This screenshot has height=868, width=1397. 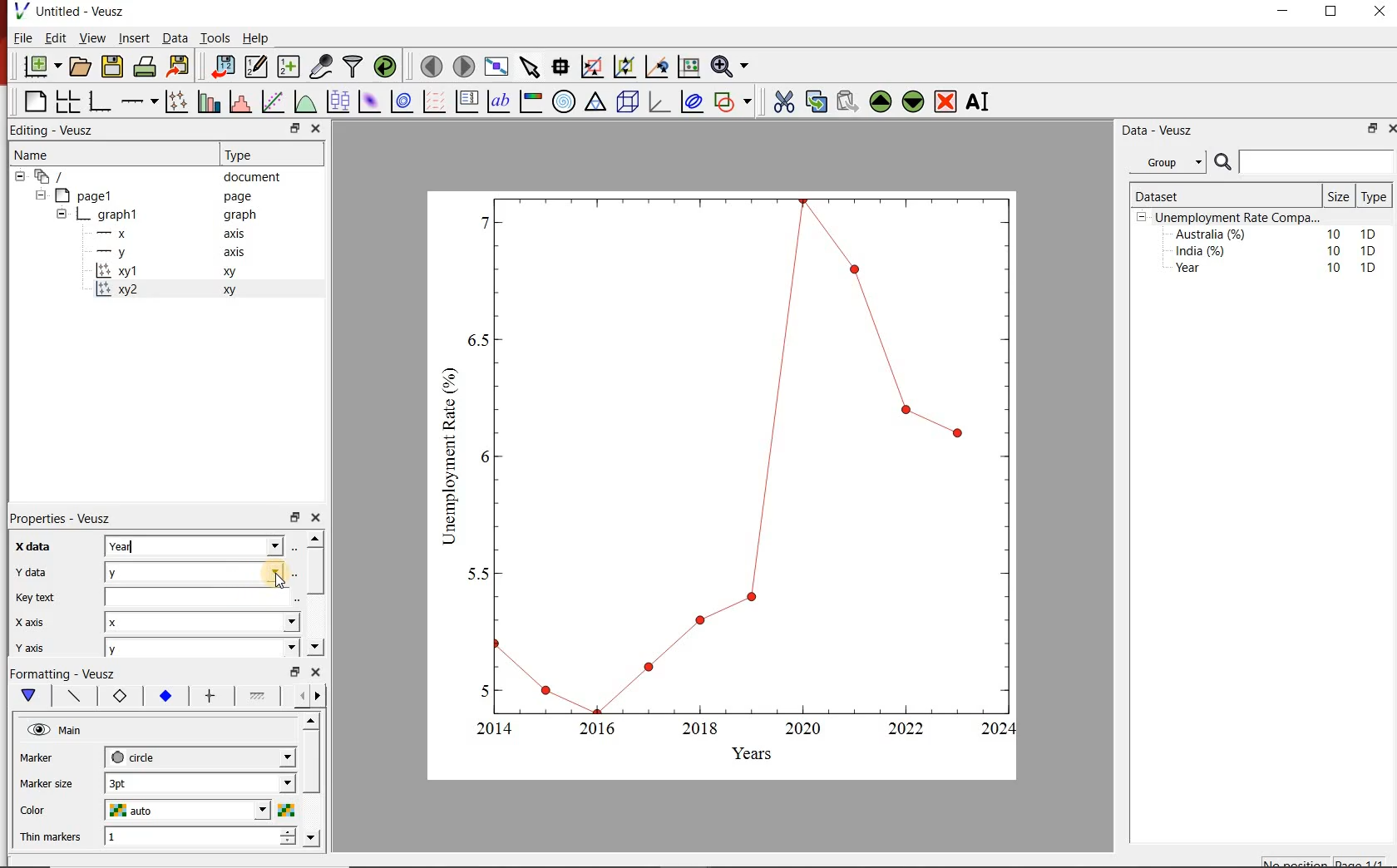 What do you see at coordinates (466, 102) in the screenshot?
I see `plot key` at bounding box center [466, 102].